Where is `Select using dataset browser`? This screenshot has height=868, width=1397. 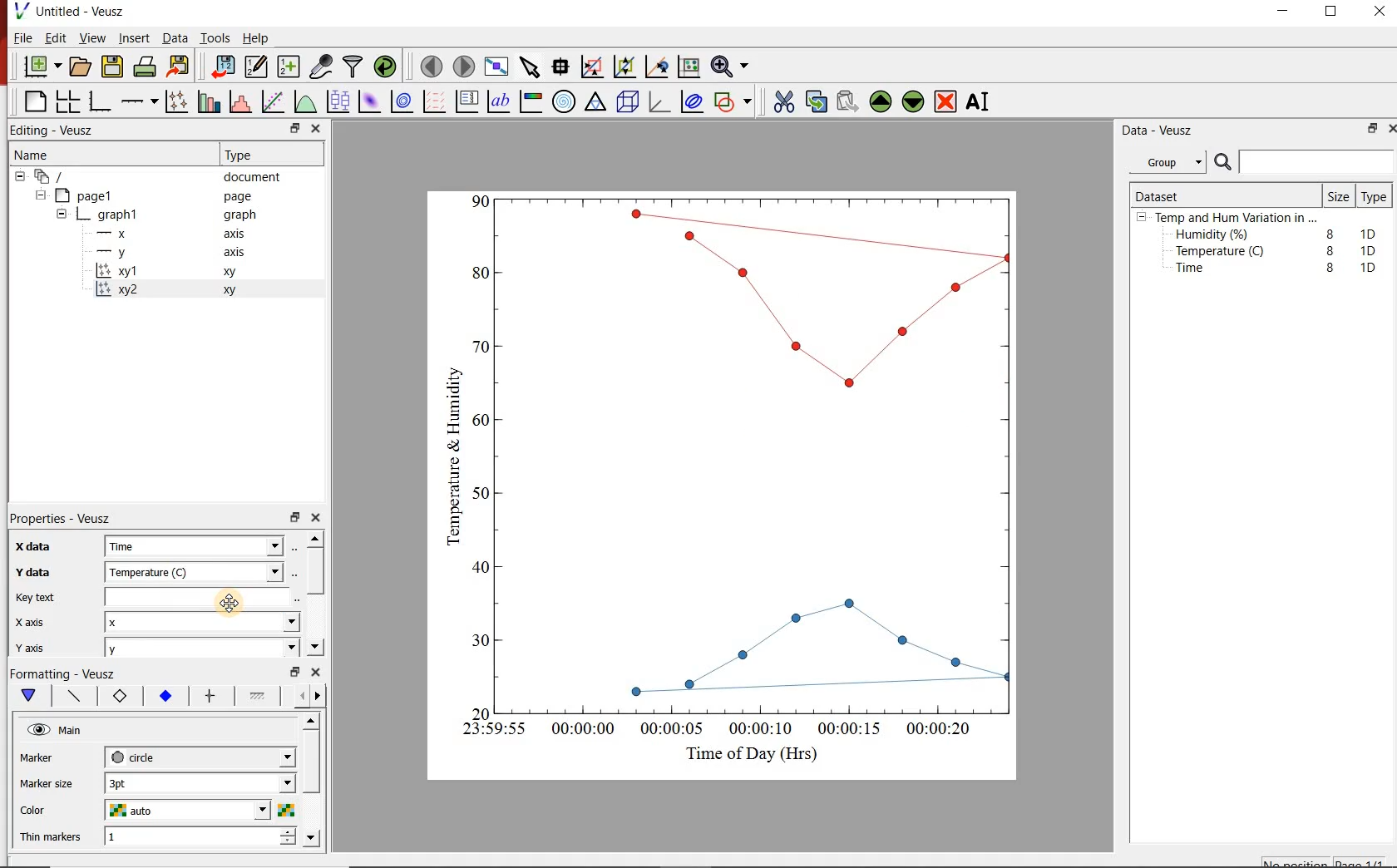
Select using dataset browser is located at coordinates (295, 572).